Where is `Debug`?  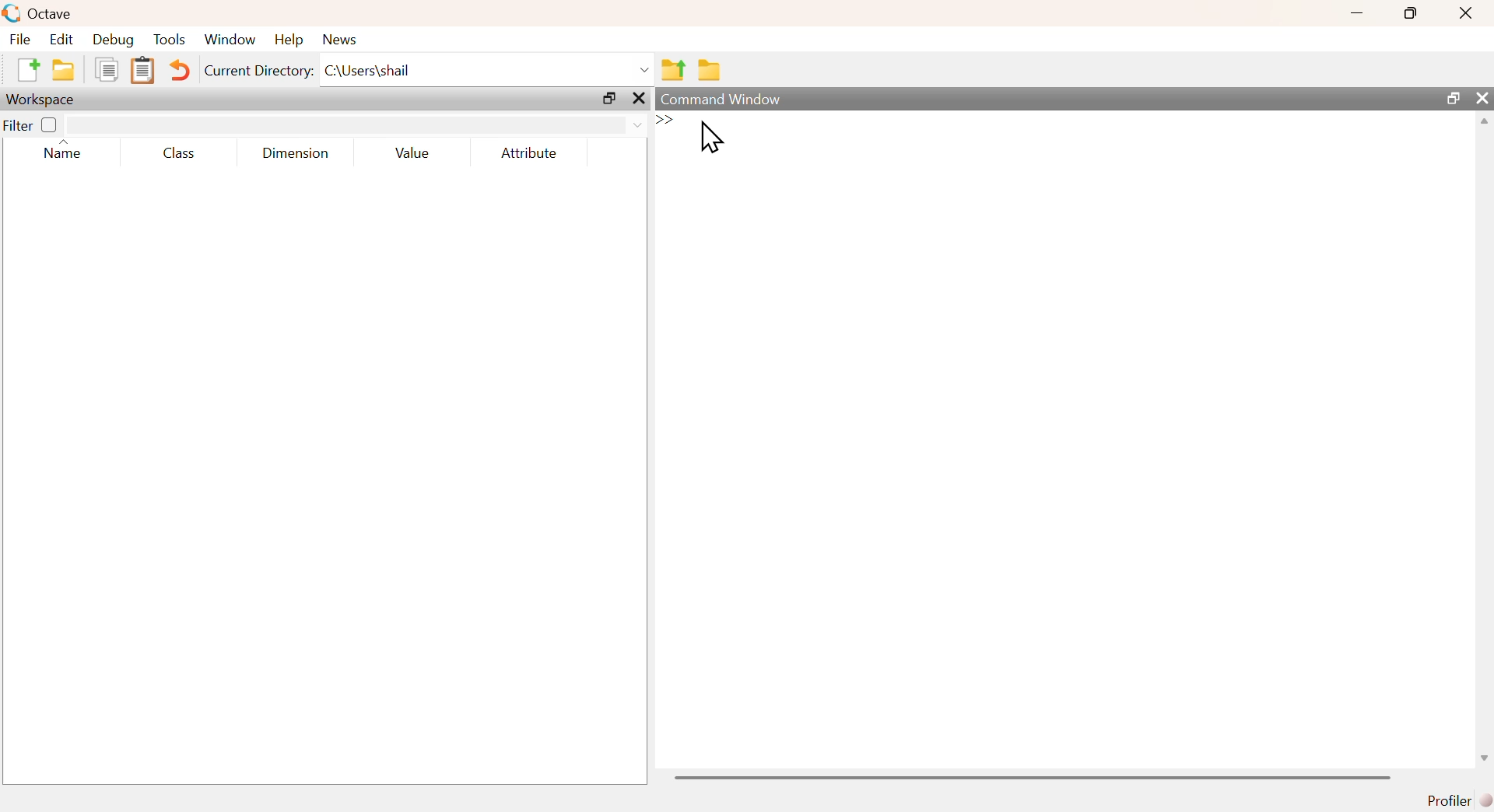 Debug is located at coordinates (113, 40).